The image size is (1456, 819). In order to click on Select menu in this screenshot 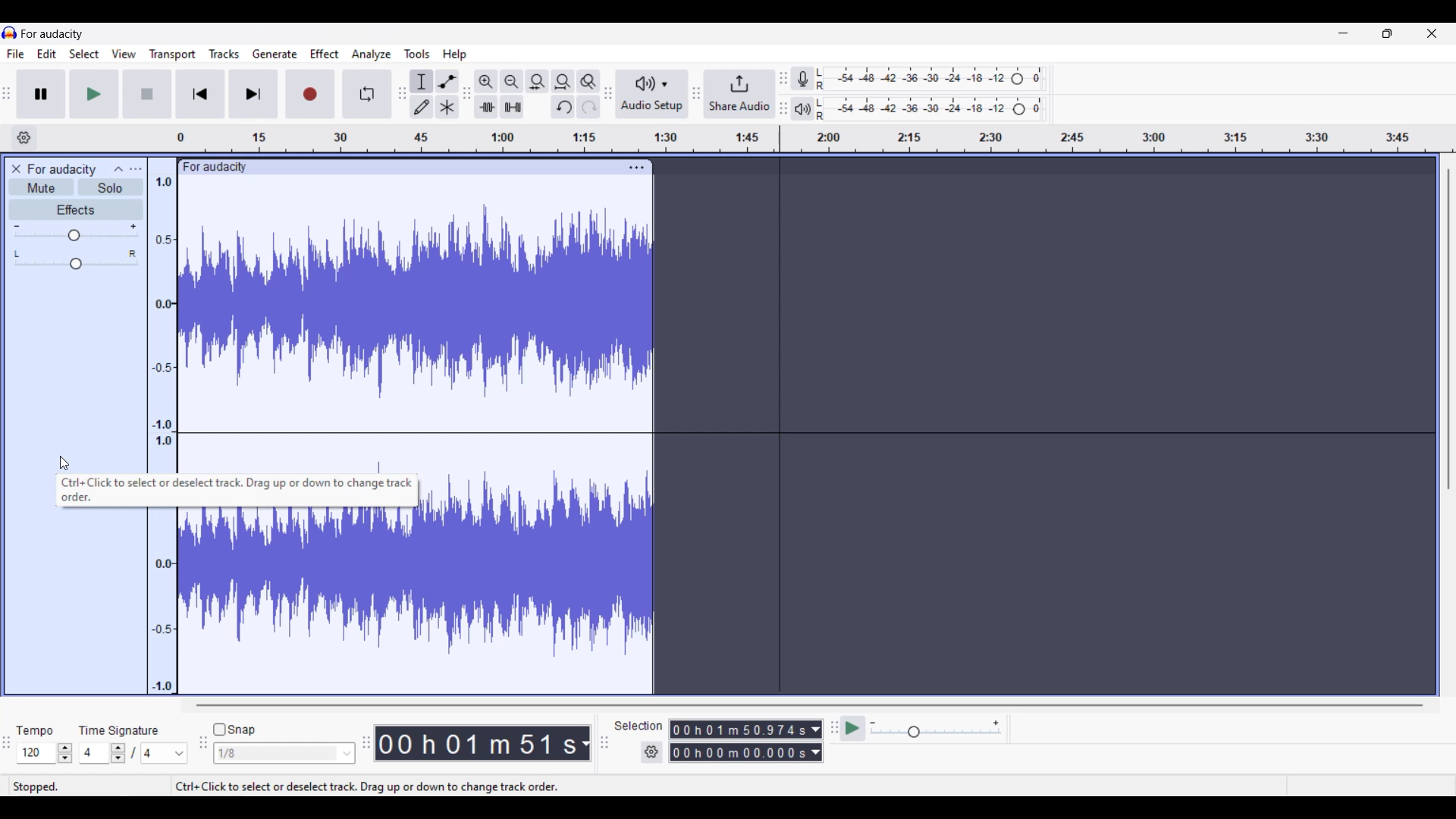, I will do `click(84, 53)`.